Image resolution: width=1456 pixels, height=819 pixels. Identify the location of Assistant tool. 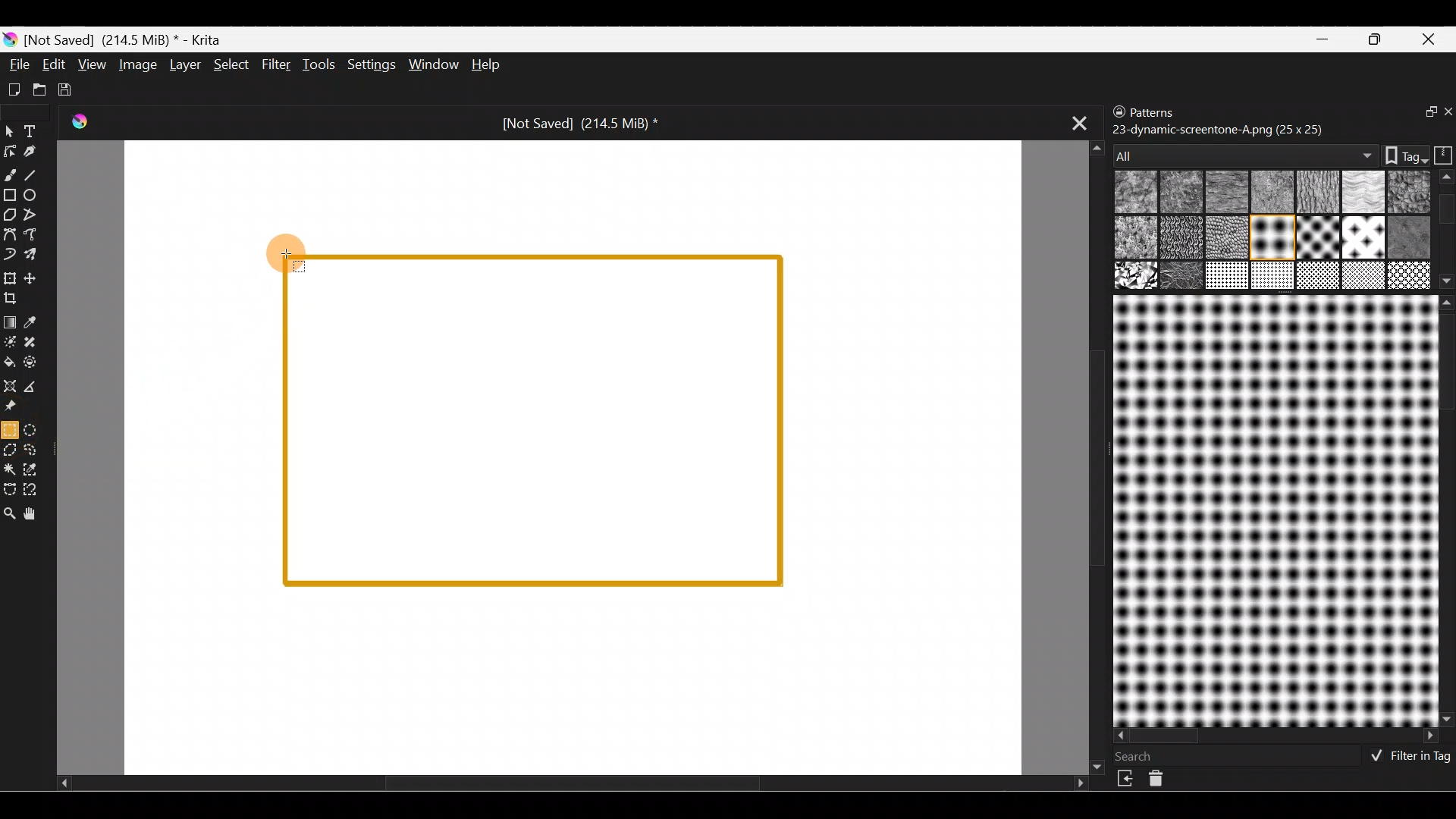
(11, 384).